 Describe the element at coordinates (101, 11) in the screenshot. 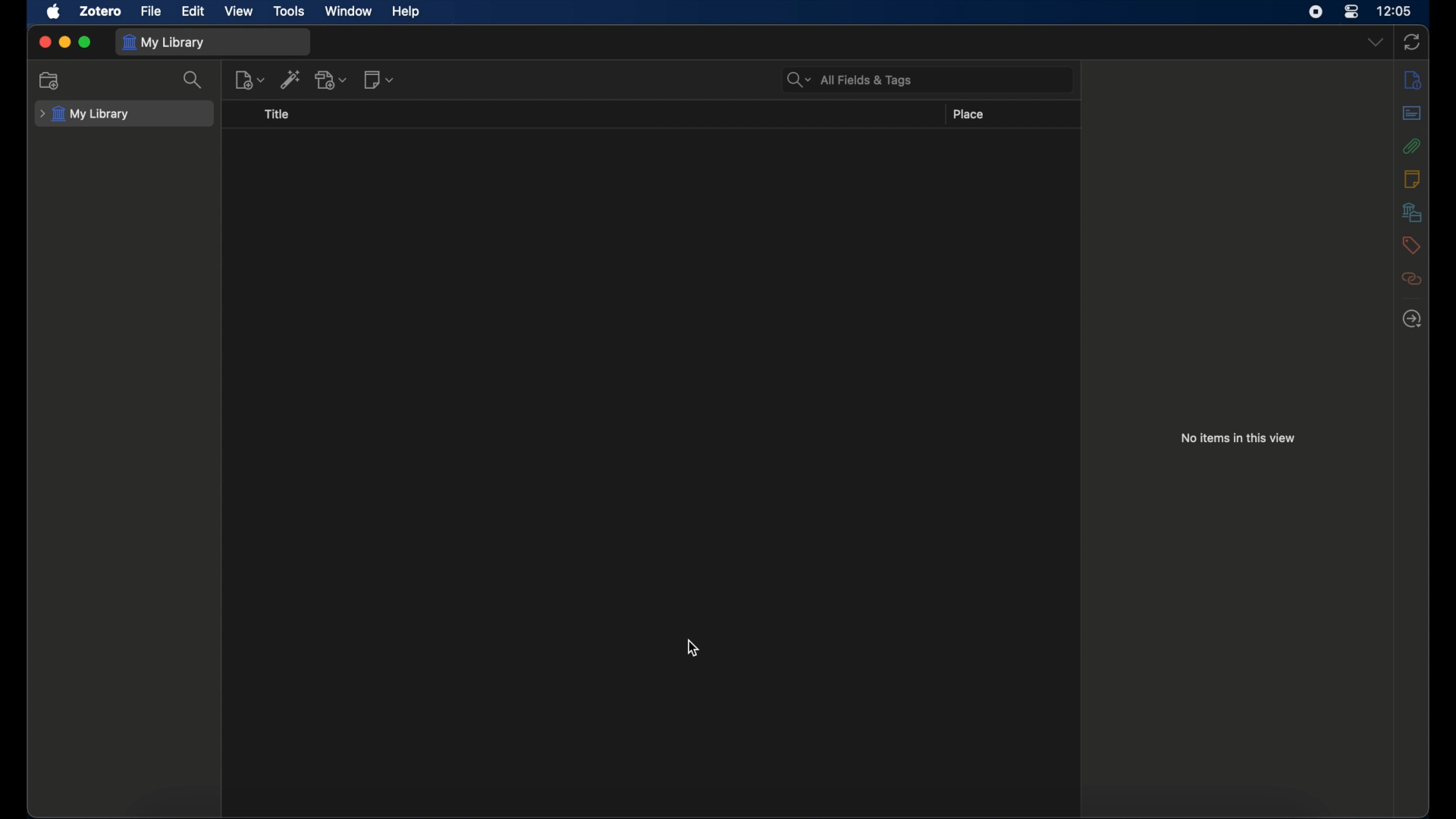

I see `zotero` at that location.